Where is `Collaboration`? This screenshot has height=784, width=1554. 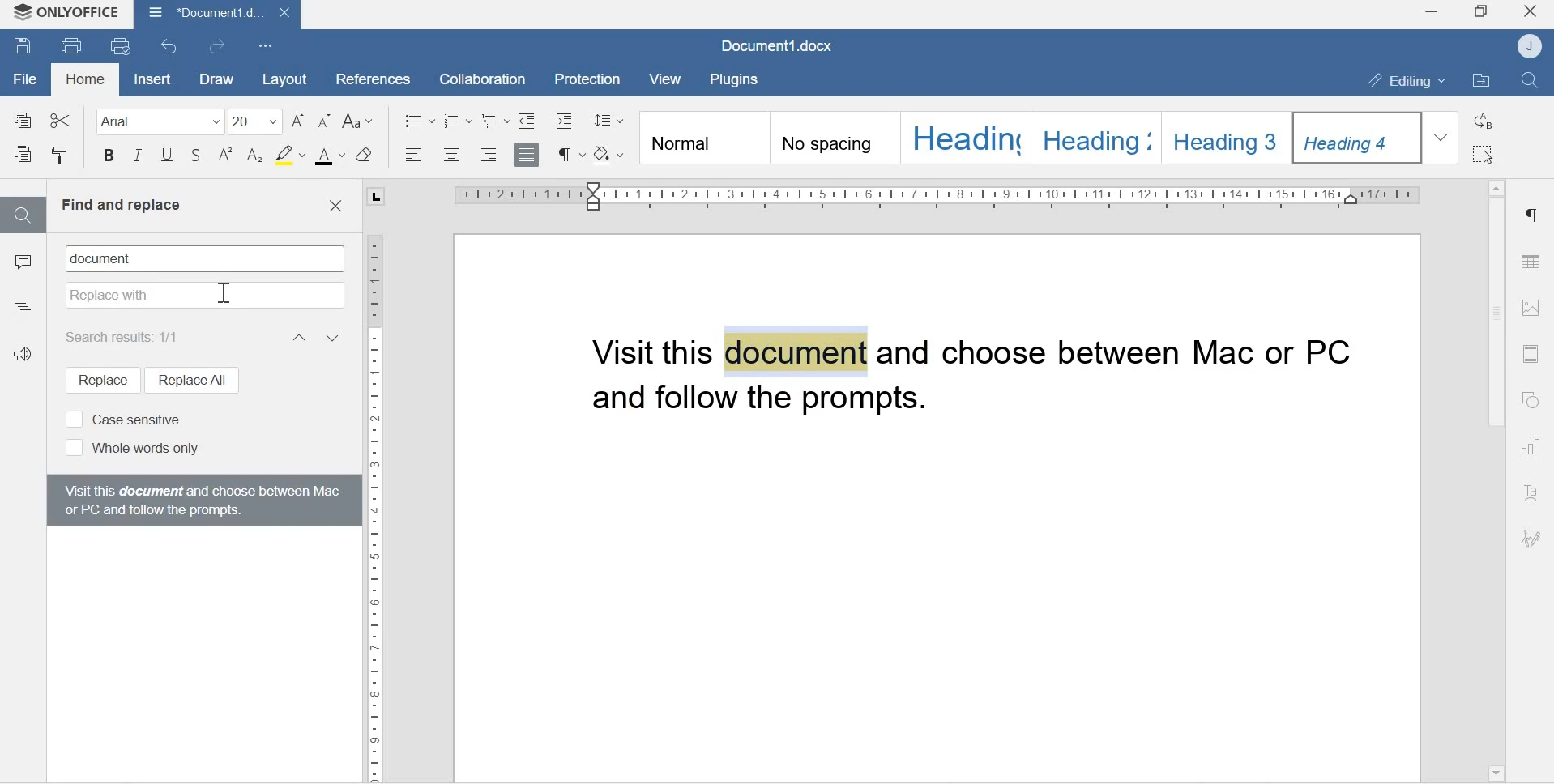
Collaboration is located at coordinates (476, 78).